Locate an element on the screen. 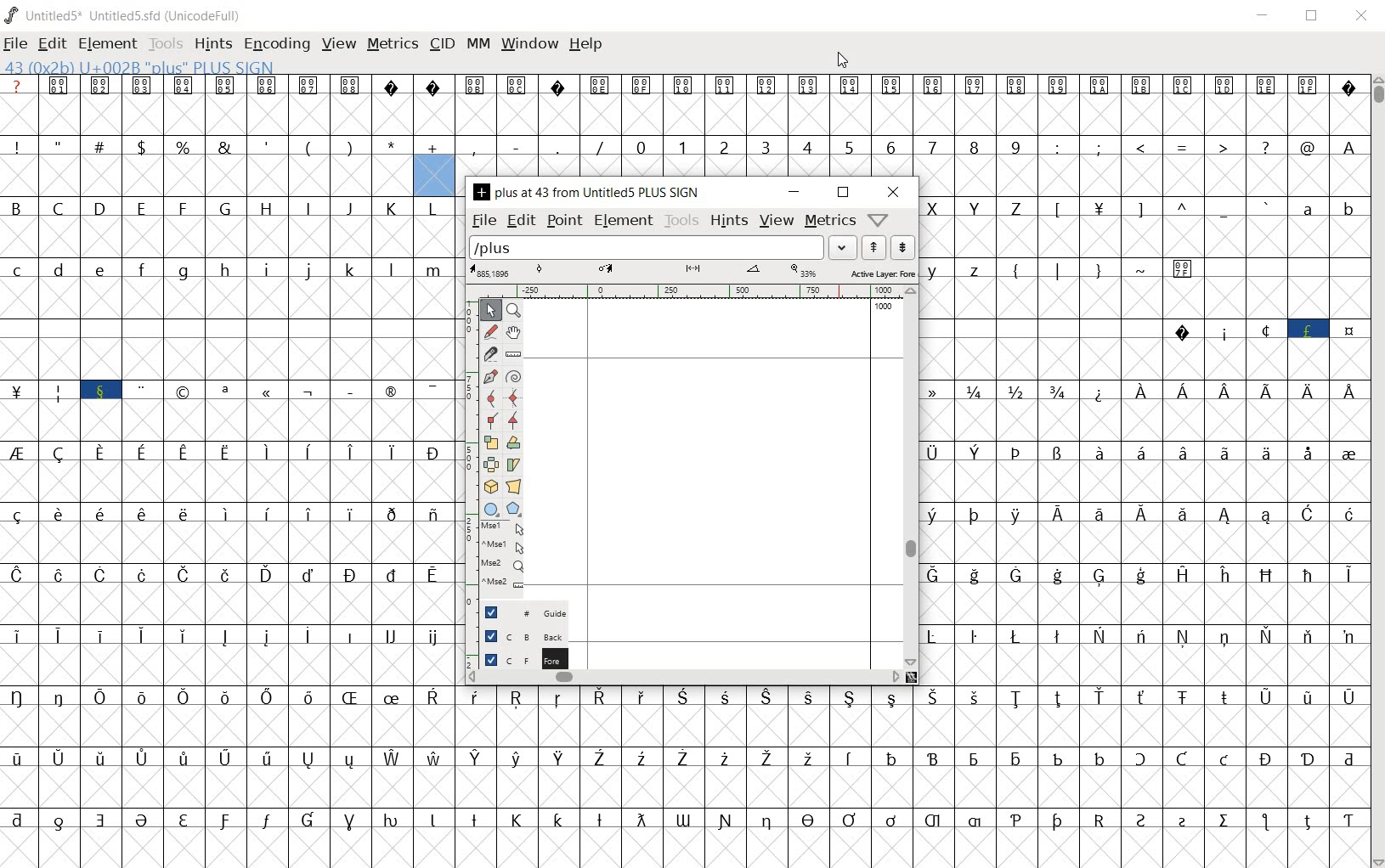  alphabet is located at coordinates (1328, 227).